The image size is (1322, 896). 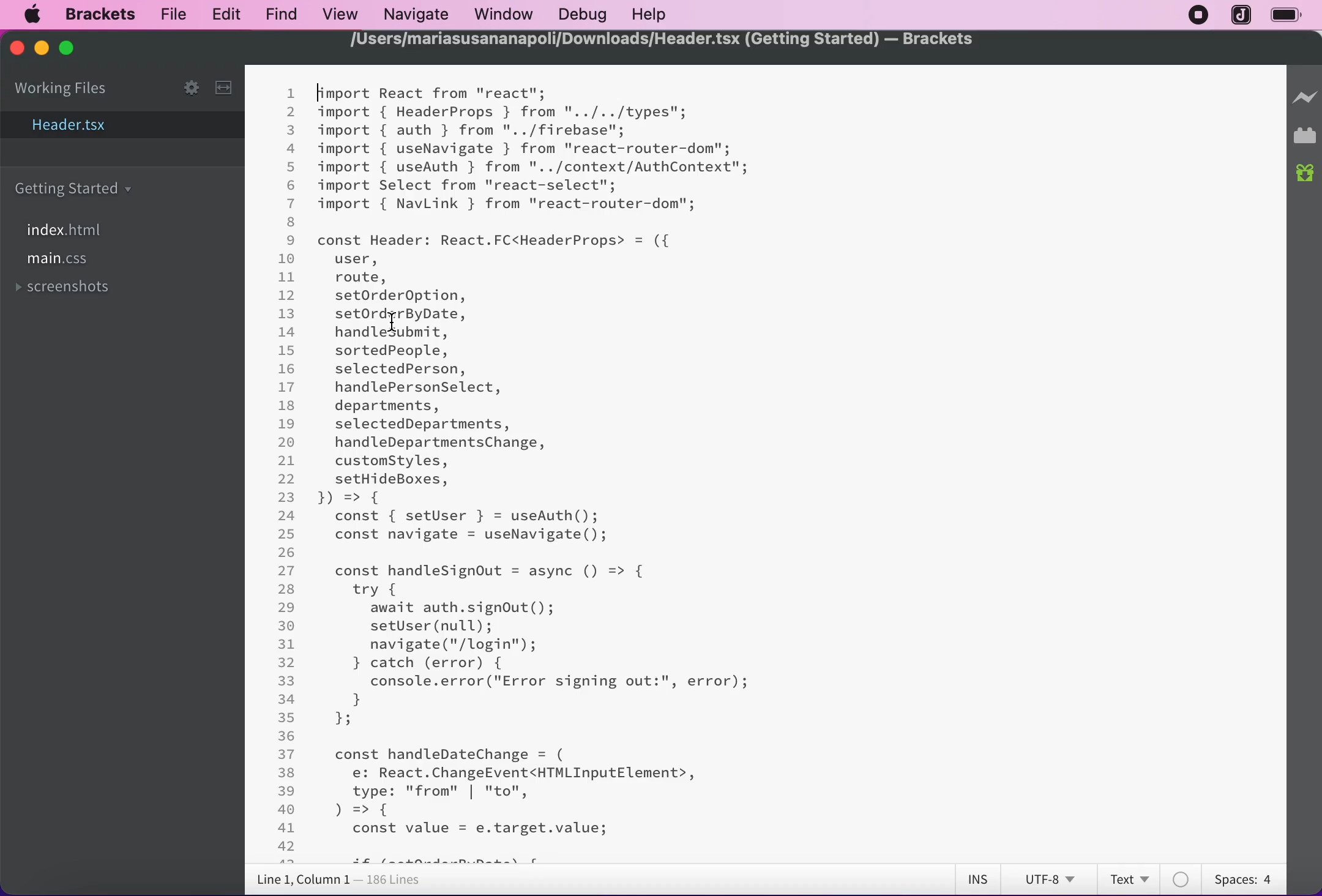 I want to click on 28, so click(x=287, y=589).